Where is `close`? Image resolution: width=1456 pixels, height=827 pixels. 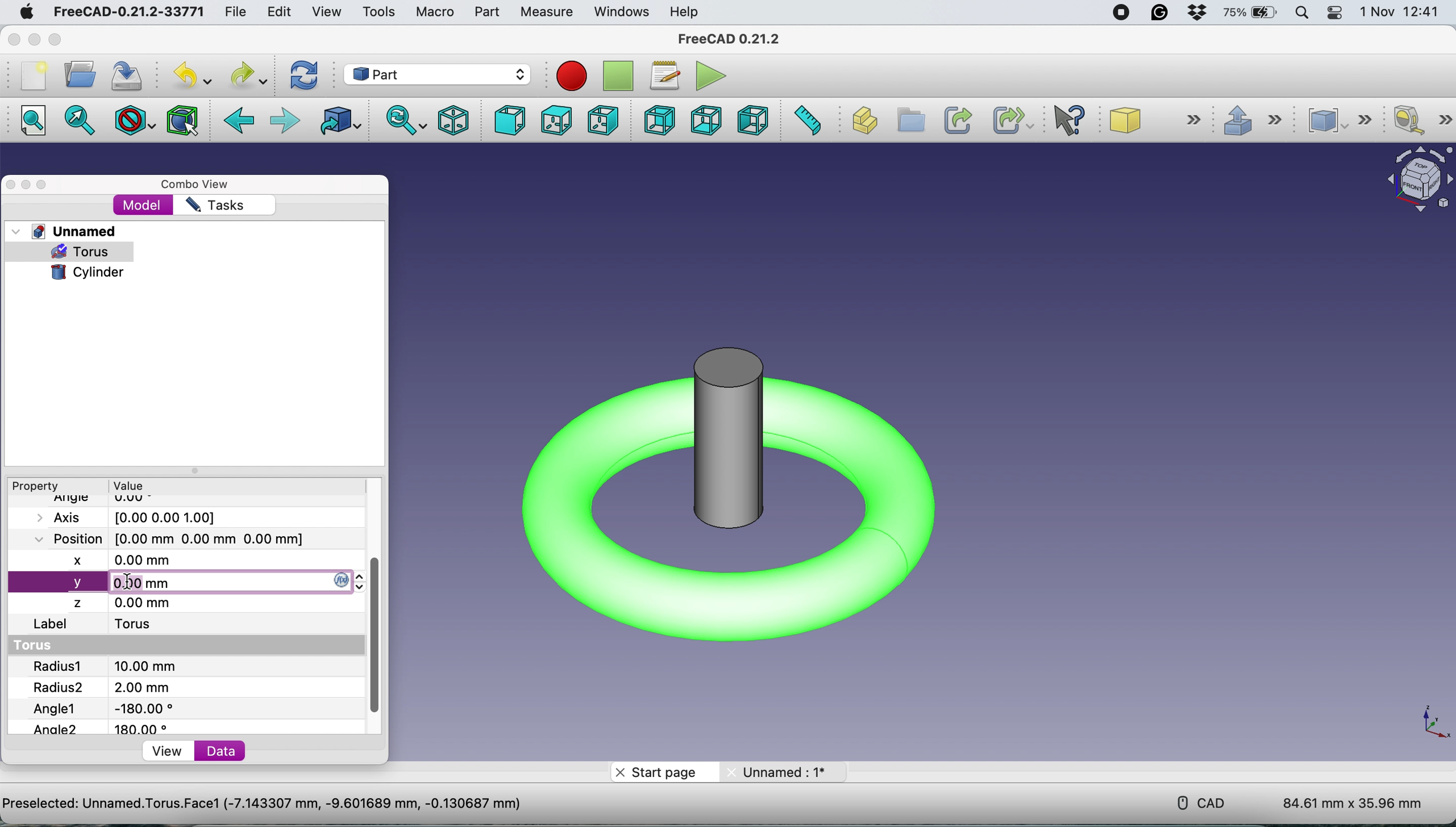
close is located at coordinates (12, 40).